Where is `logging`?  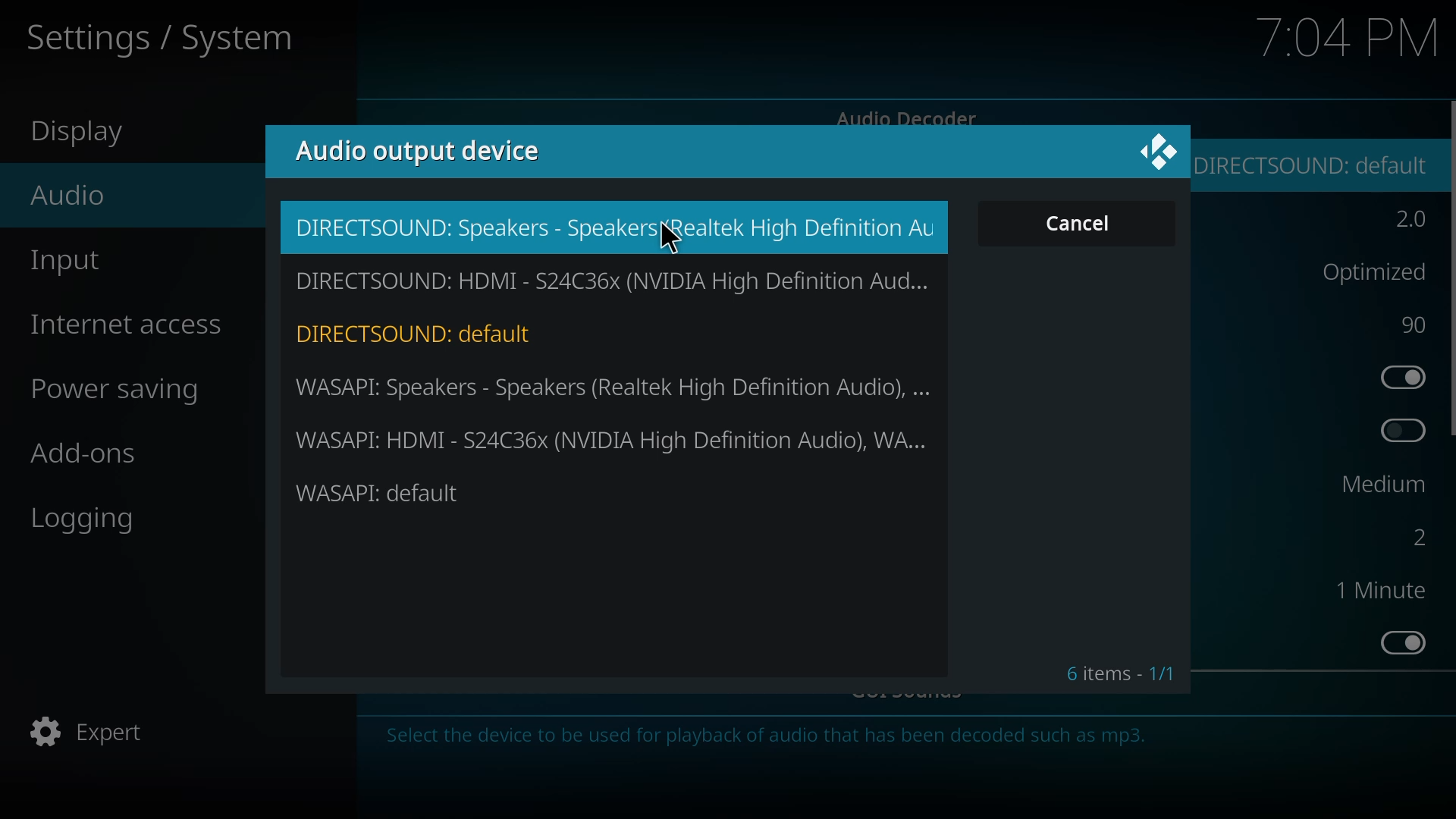 logging is located at coordinates (89, 520).